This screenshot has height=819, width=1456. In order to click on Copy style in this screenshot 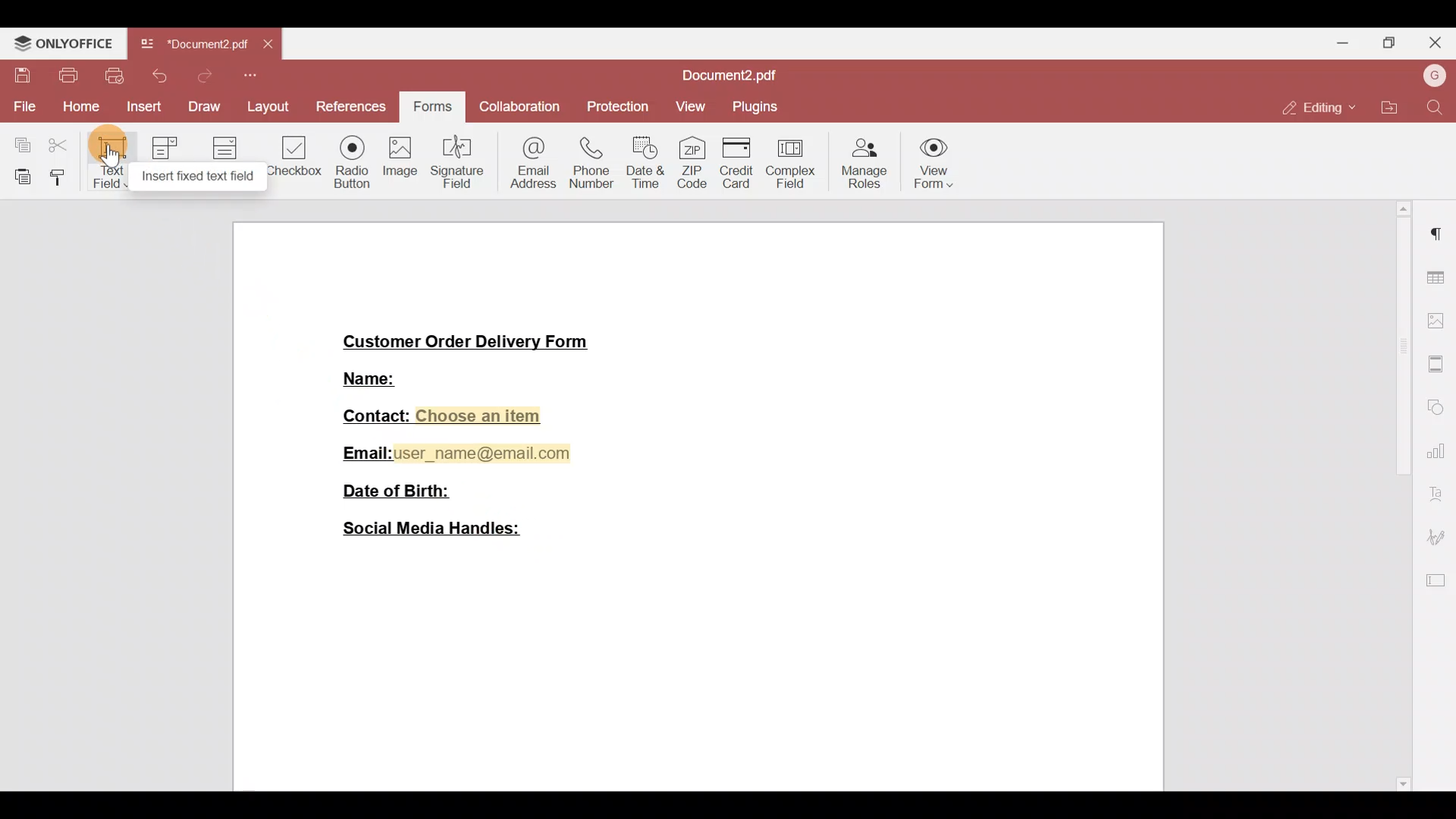, I will do `click(58, 178)`.